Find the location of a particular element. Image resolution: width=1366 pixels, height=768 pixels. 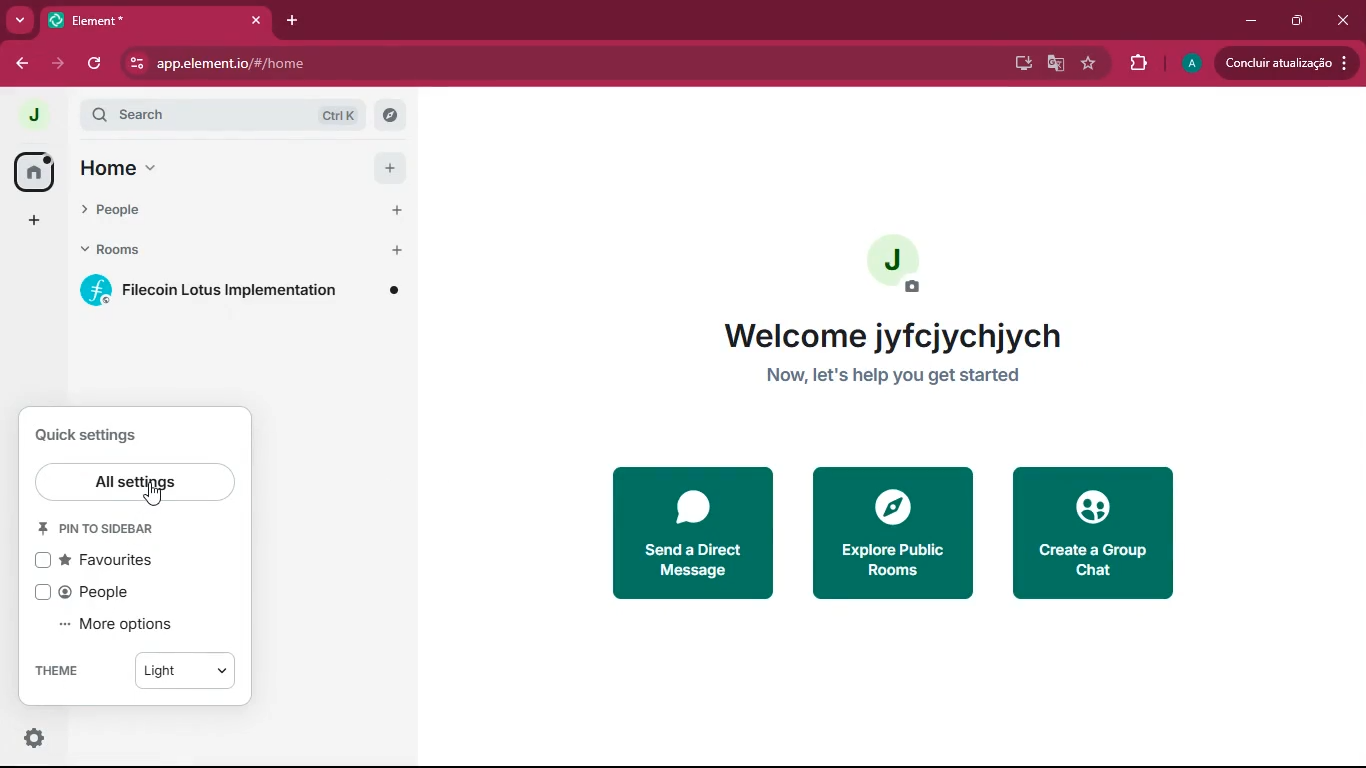

extension is located at coordinates (1141, 63).